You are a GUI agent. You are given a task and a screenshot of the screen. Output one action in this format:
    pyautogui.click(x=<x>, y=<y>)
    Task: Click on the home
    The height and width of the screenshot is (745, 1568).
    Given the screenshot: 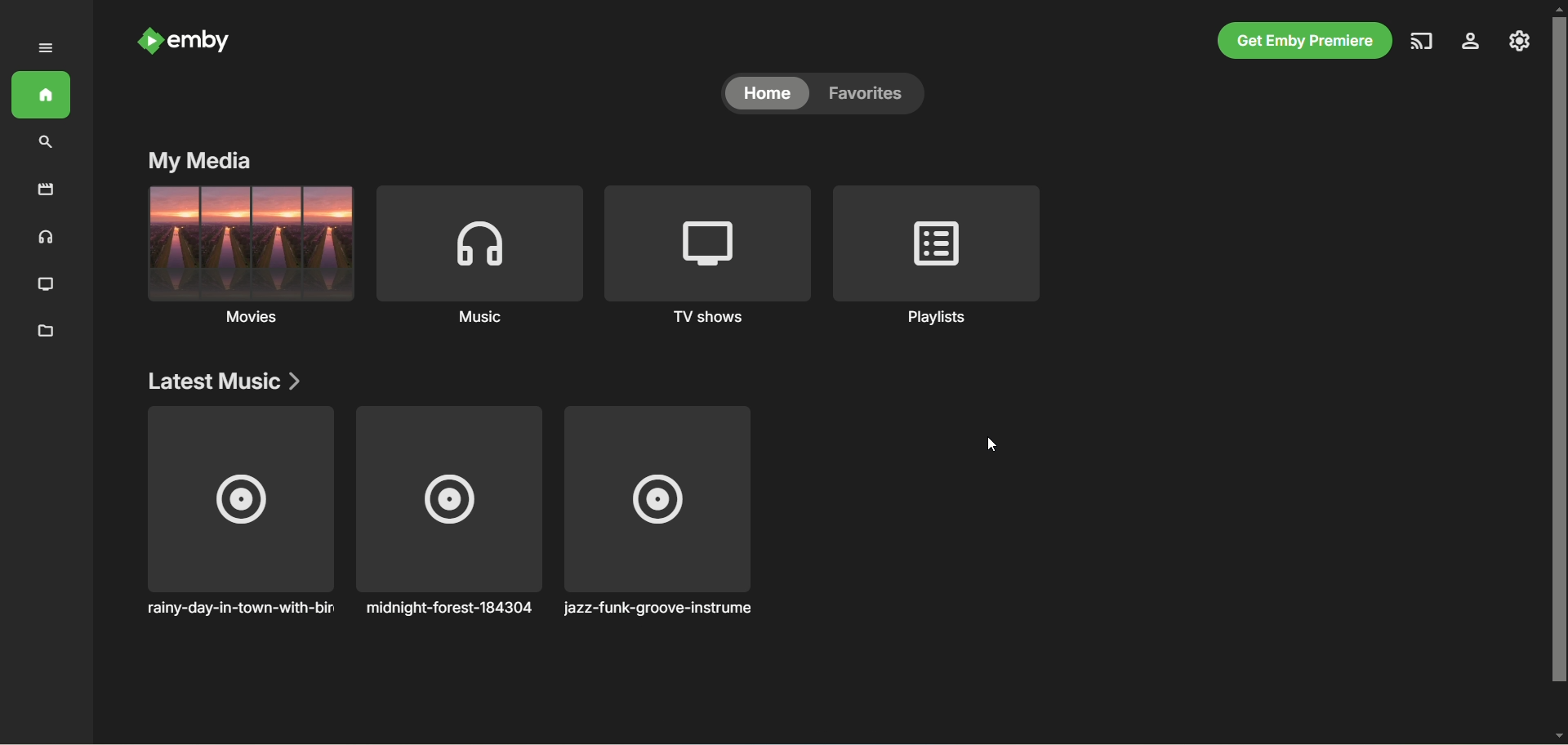 What is the action you would take?
    pyautogui.click(x=42, y=95)
    